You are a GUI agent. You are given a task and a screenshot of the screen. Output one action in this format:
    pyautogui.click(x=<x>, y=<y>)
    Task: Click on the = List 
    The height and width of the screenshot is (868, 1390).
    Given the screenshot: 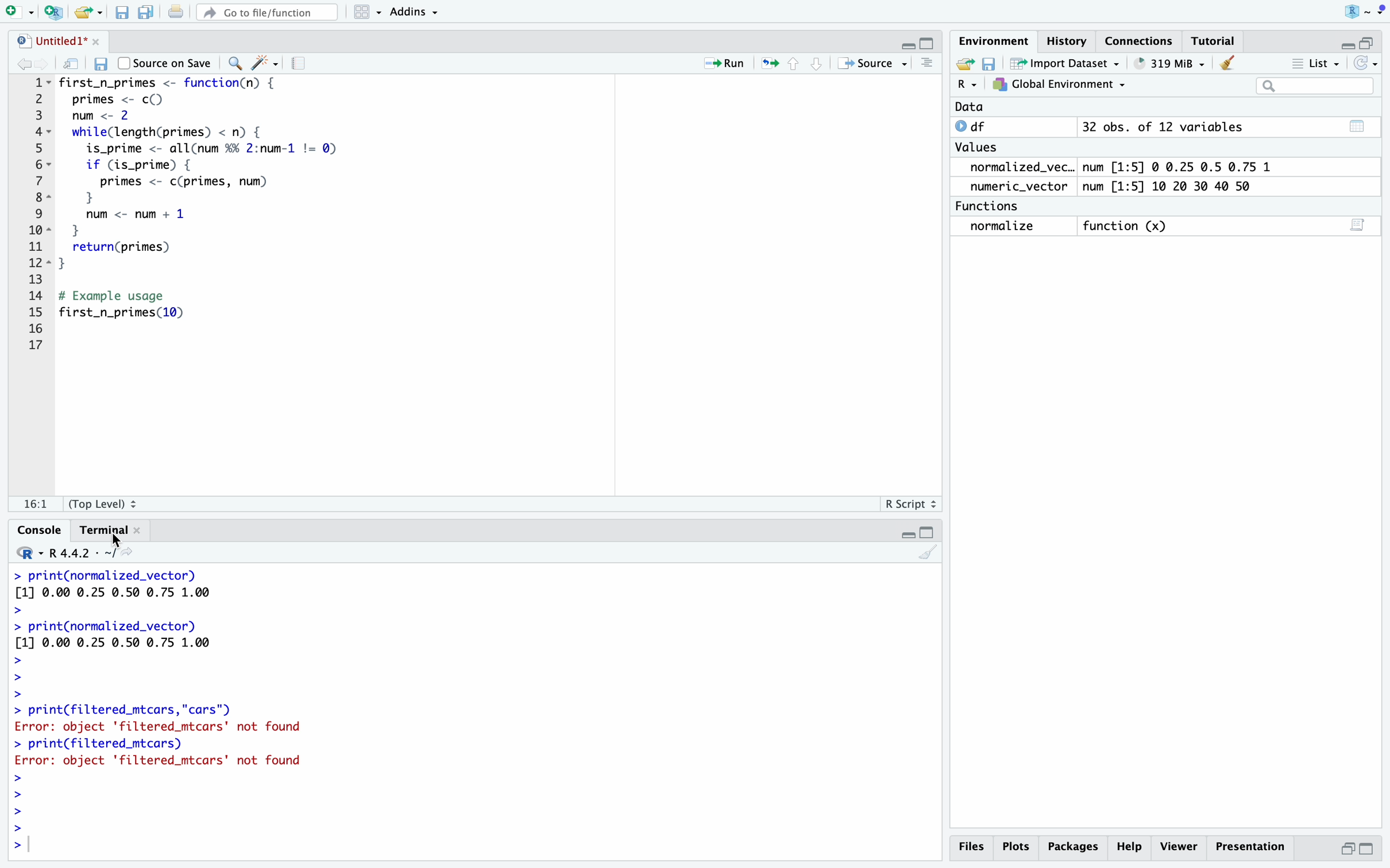 What is the action you would take?
    pyautogui.click(x=1309, y=63)
    